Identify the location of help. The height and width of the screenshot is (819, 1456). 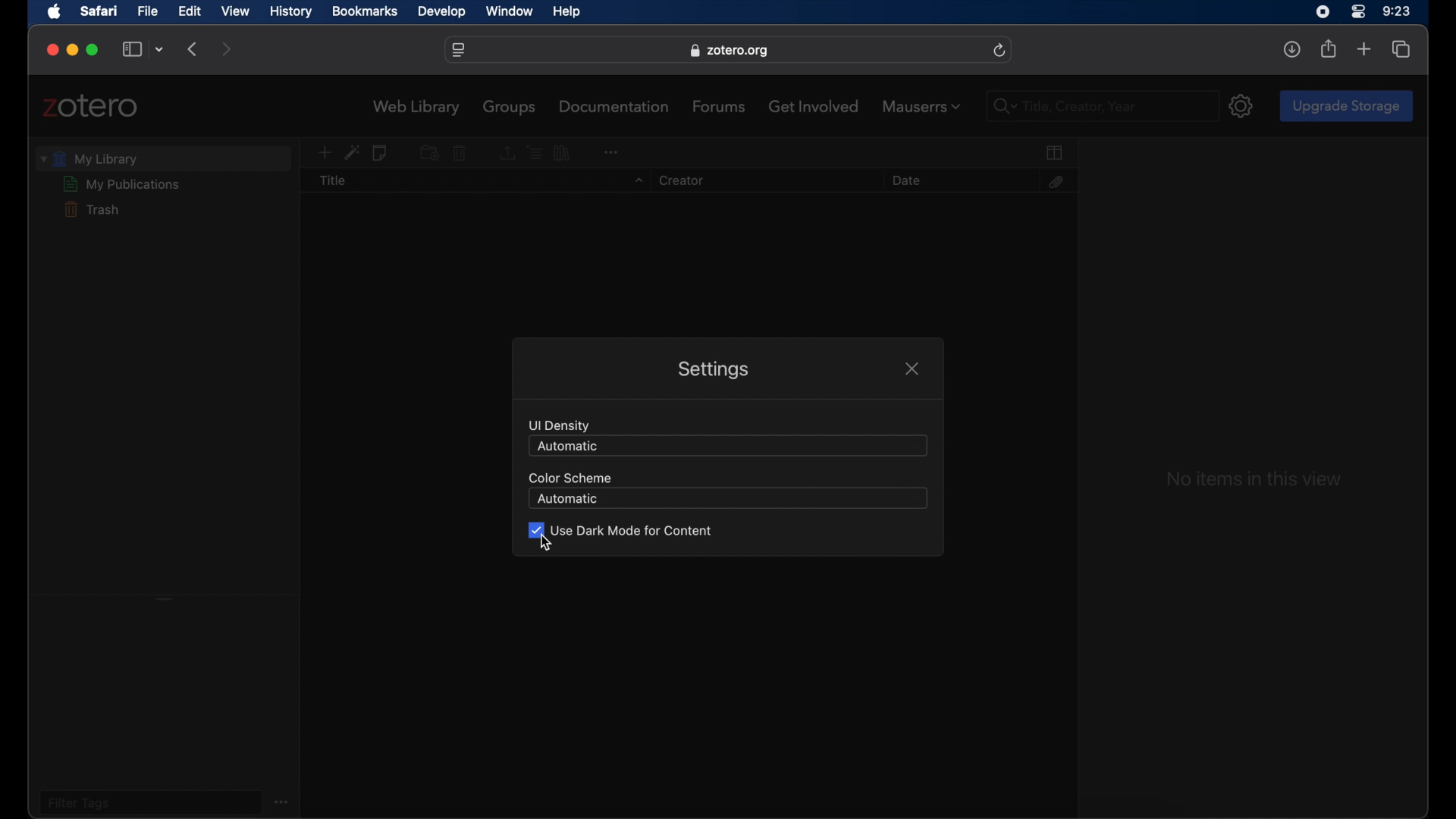
(566, 12).